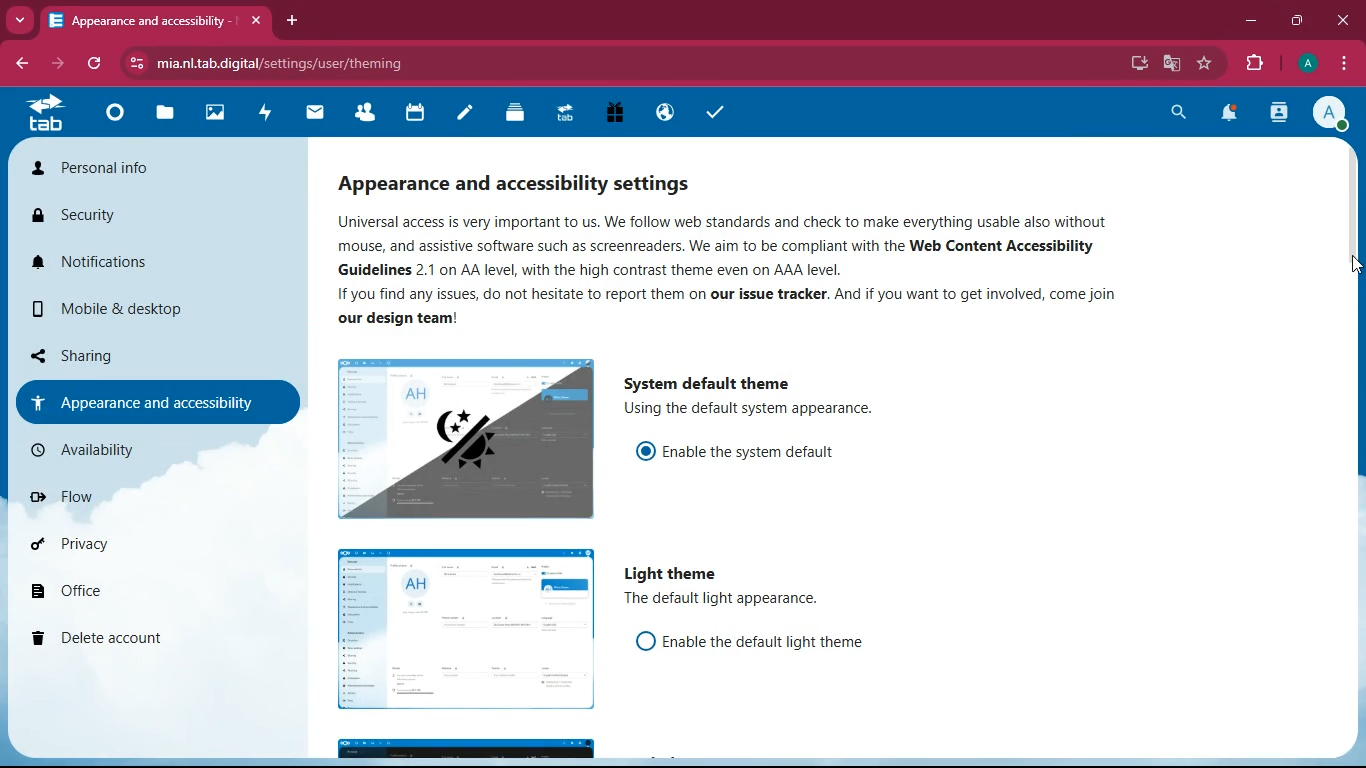 This screenshot has height=768, width=1366. Describe the element at coordinates (1343, 65) in the screenshot. I see `menu` at that location.